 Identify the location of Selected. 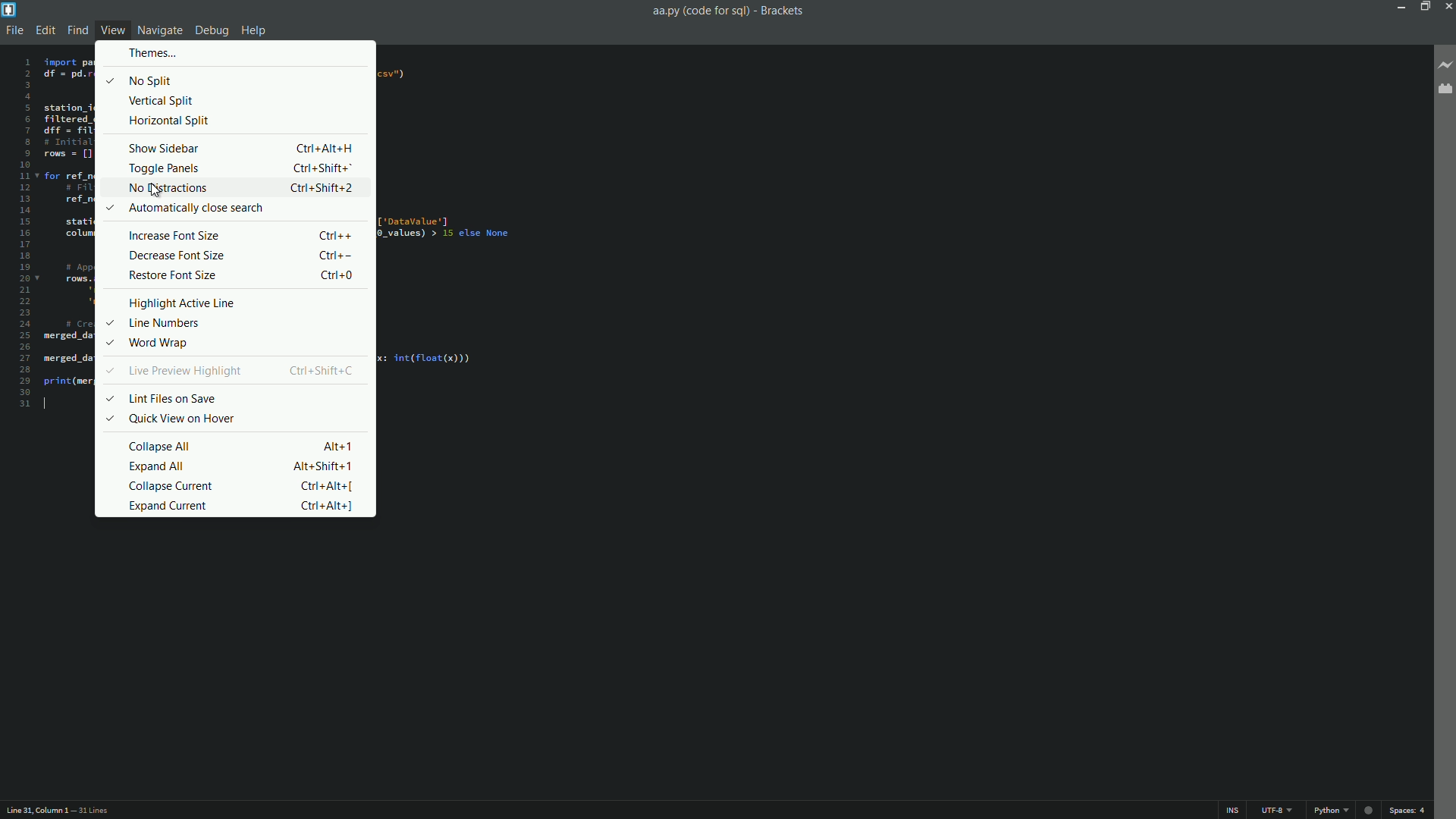
(109, 79).